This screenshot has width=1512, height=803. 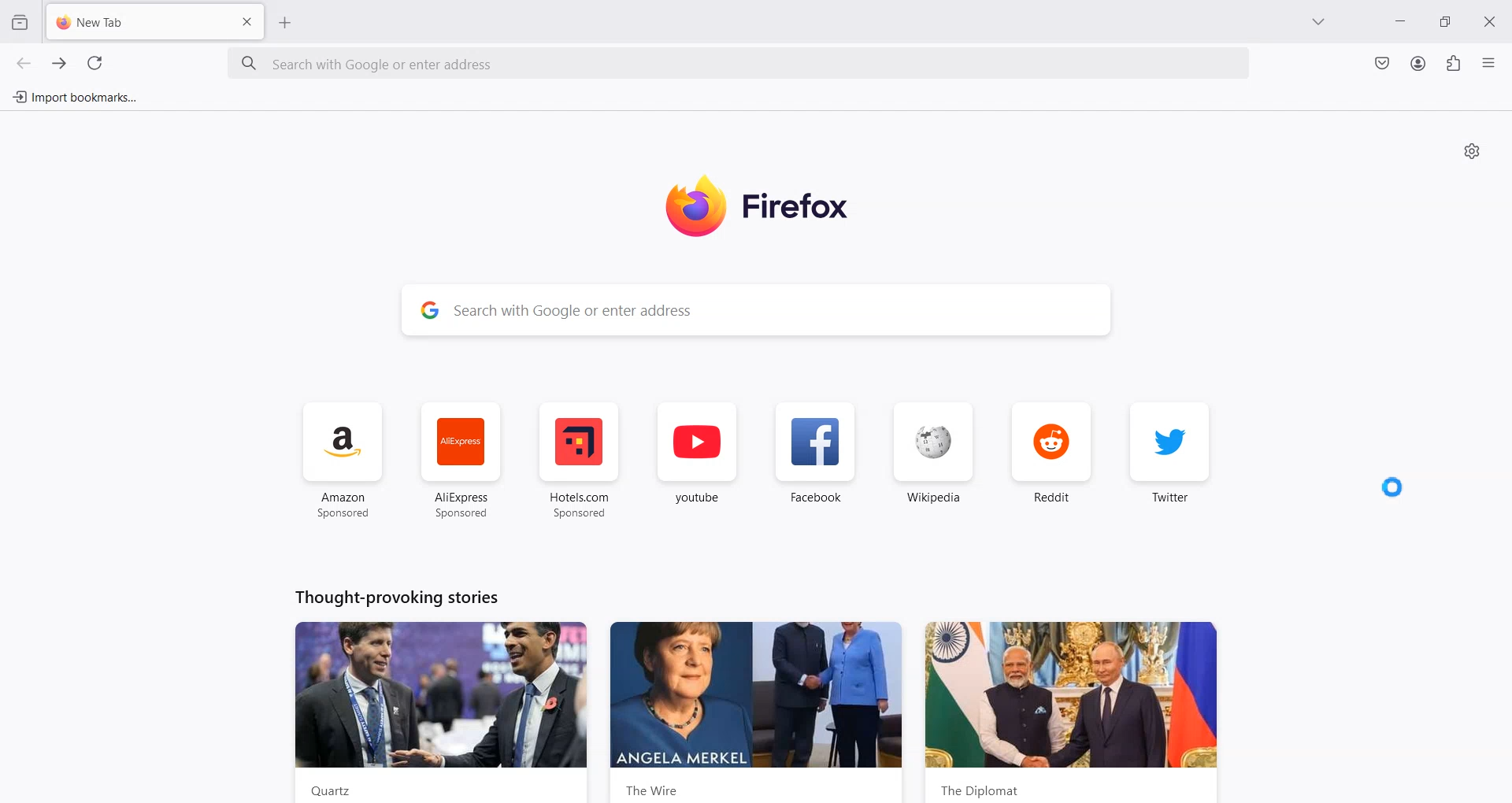 What do you see at coordinates (1071, 712) in the screenshot?
I see `the diplomat` at bounding box center [1071, 712].